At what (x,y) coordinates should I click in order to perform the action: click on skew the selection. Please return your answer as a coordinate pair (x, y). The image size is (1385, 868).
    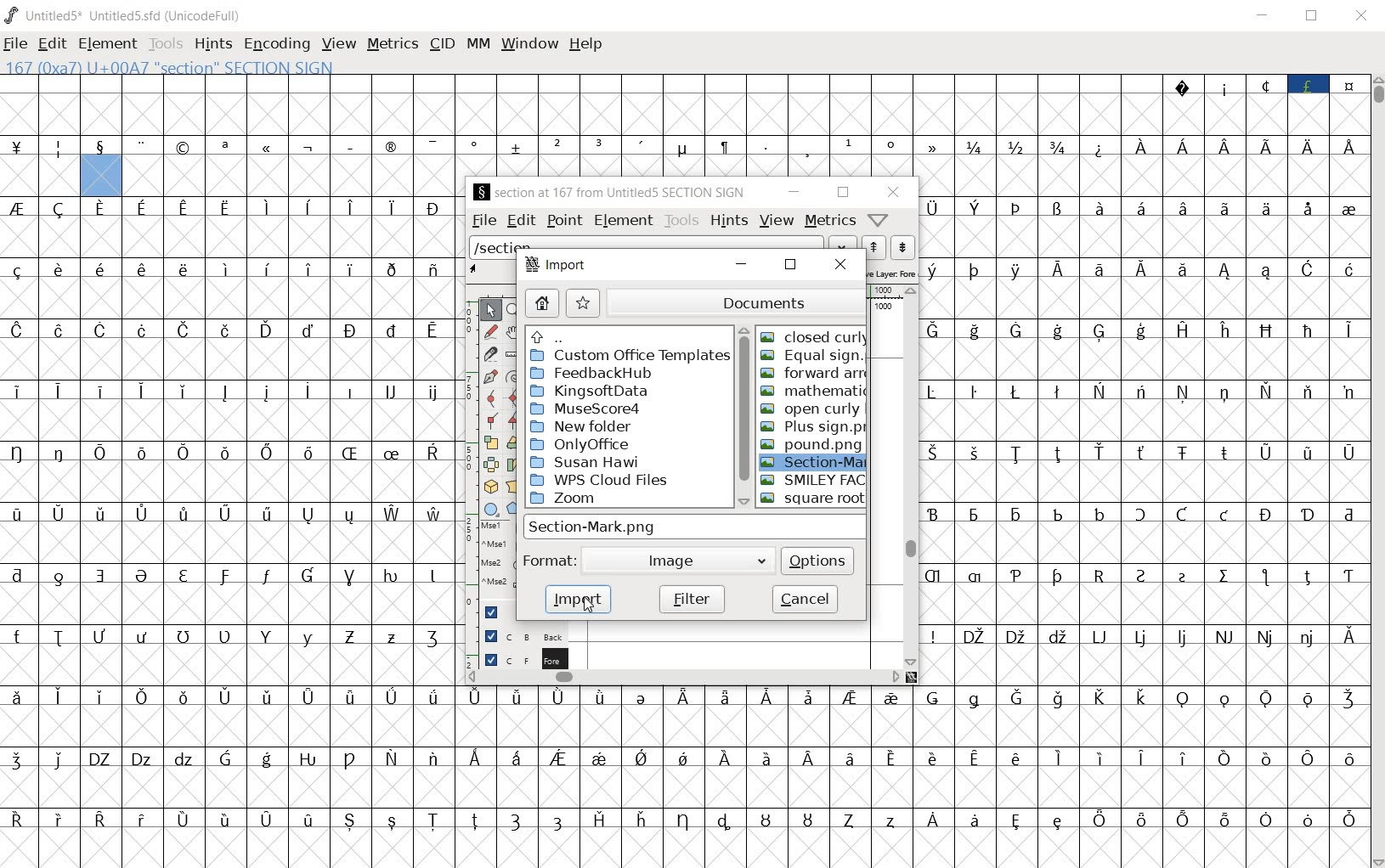
    Looking at the image, I should click on (513, 464).